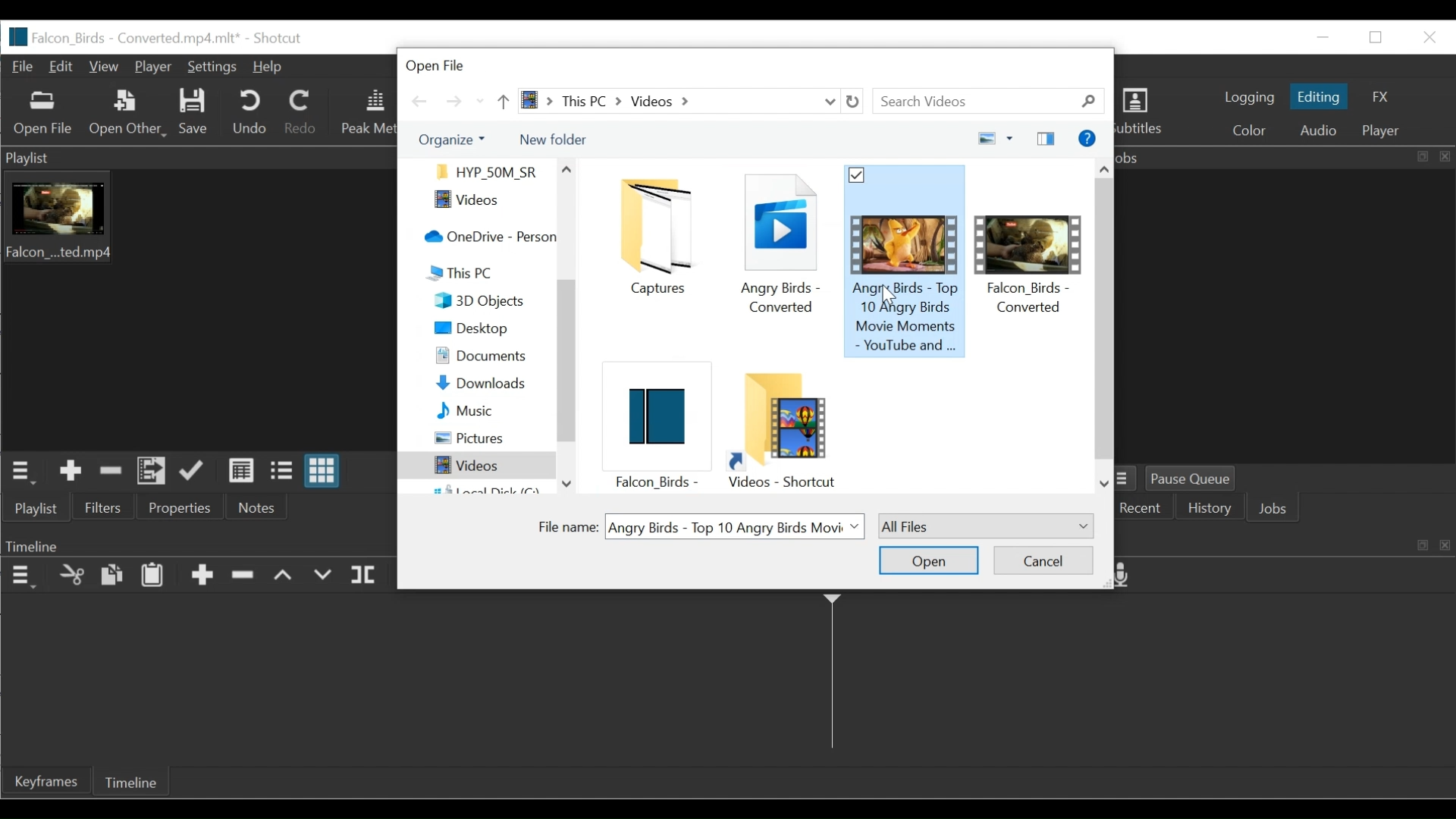 The height and width of the screenshot is (819, 1456). I want to click on Videos, so click(481, 202).